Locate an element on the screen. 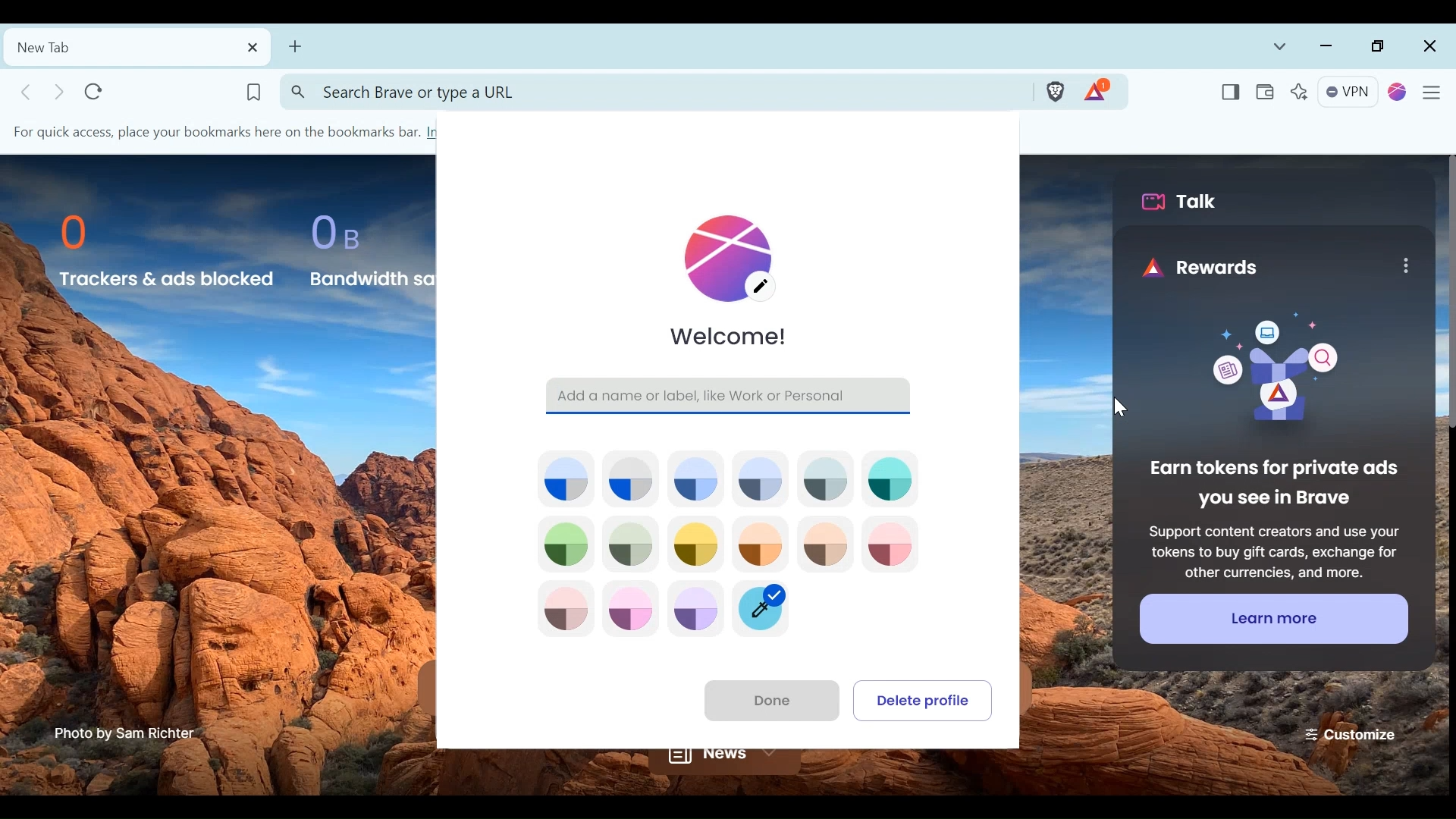 The height and width of the screenshot is (819, 1456). Wallet is located at coordinates (1263, 93).